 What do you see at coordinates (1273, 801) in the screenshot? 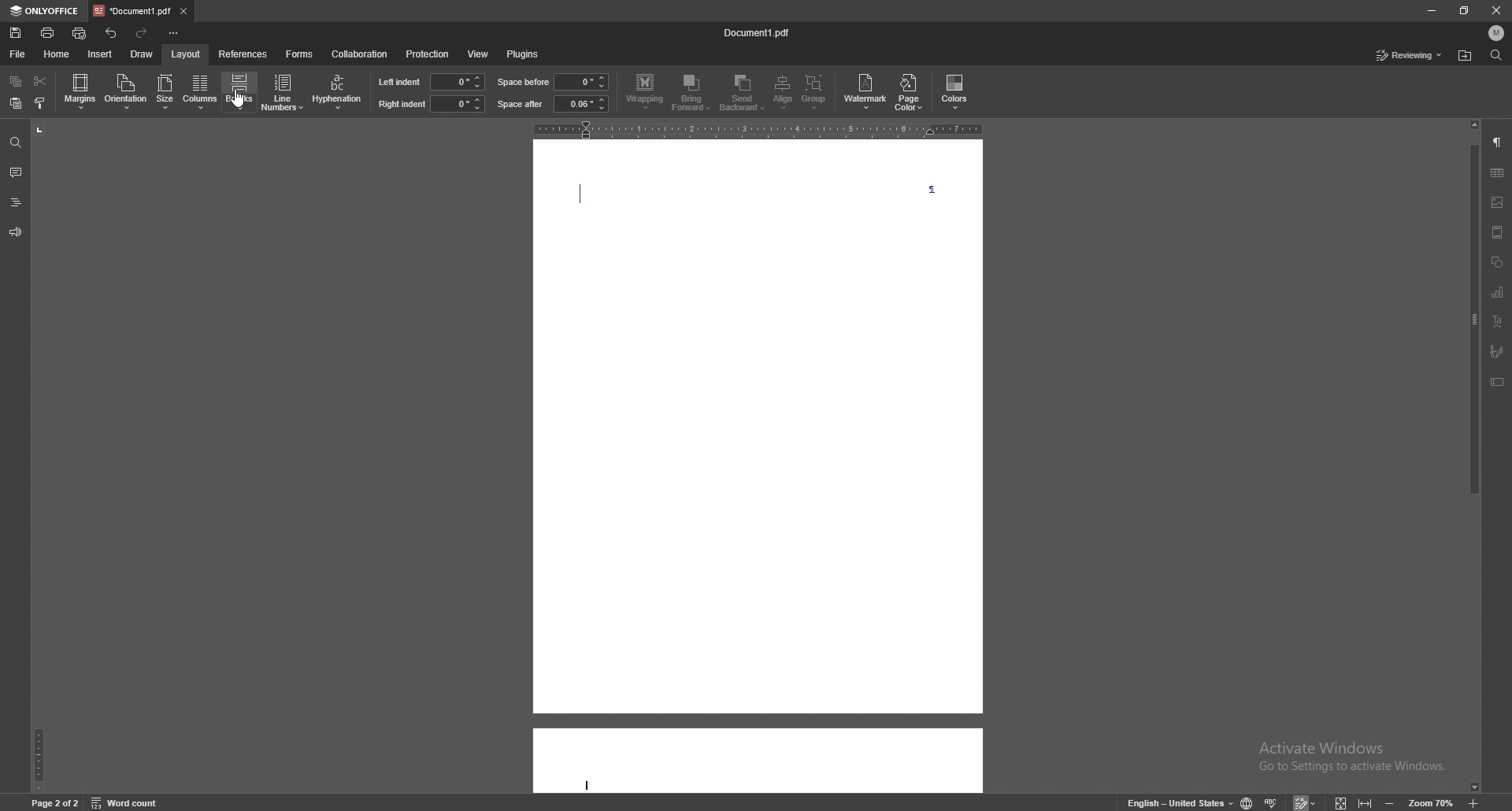
I see `spell check` at bounding box center [1273, 801].